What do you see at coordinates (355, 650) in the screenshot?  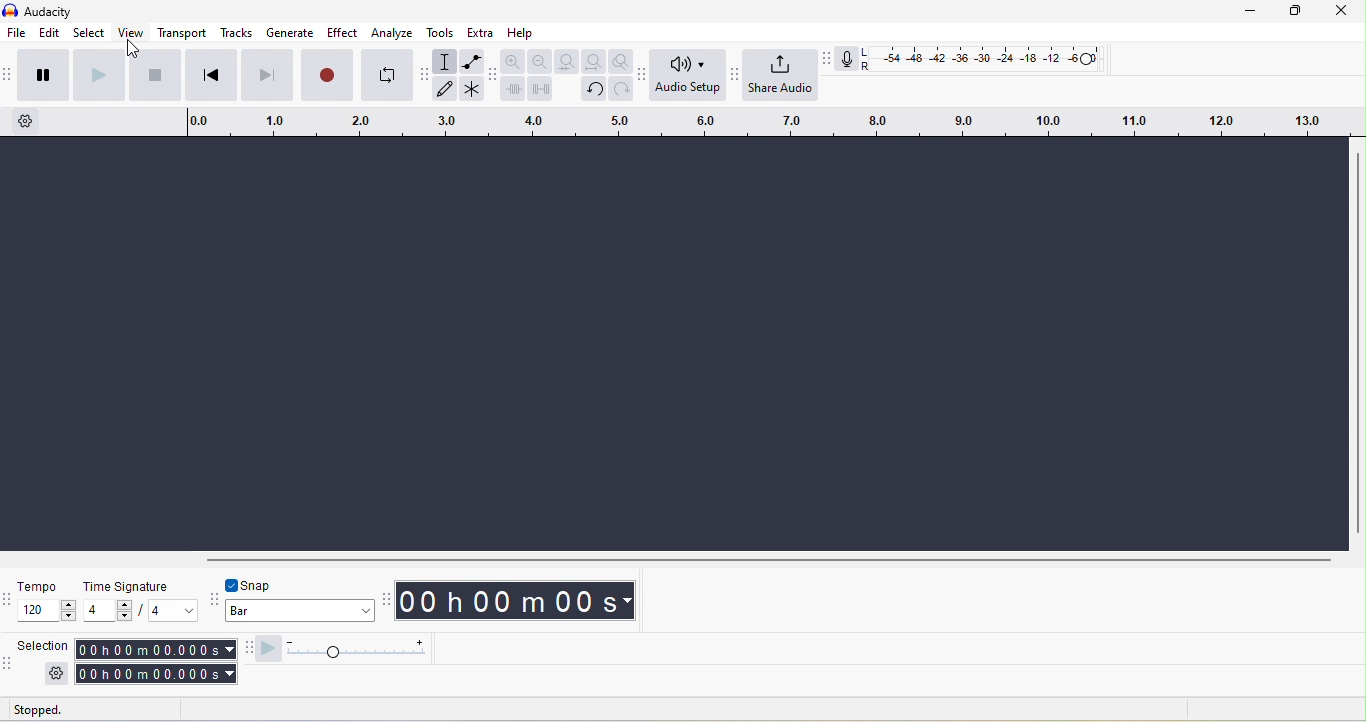 I see `playback speed` at bounding box center [355, 650].